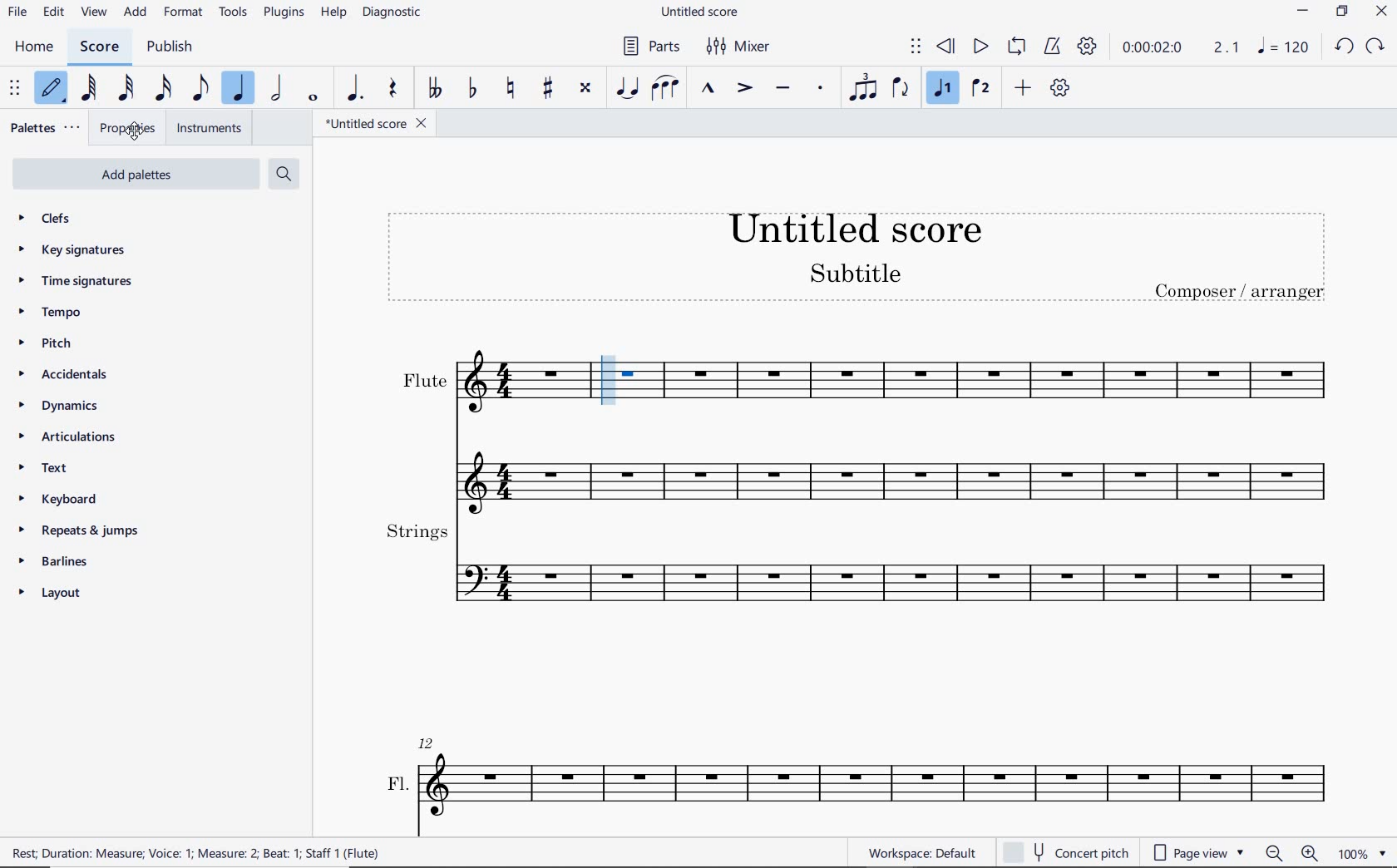 The height and width of the screenshot is (868, 1397). What do you see at coordinates (53, 313) in the screenshot?
I see `tempo` at bounding box center [53, 313].